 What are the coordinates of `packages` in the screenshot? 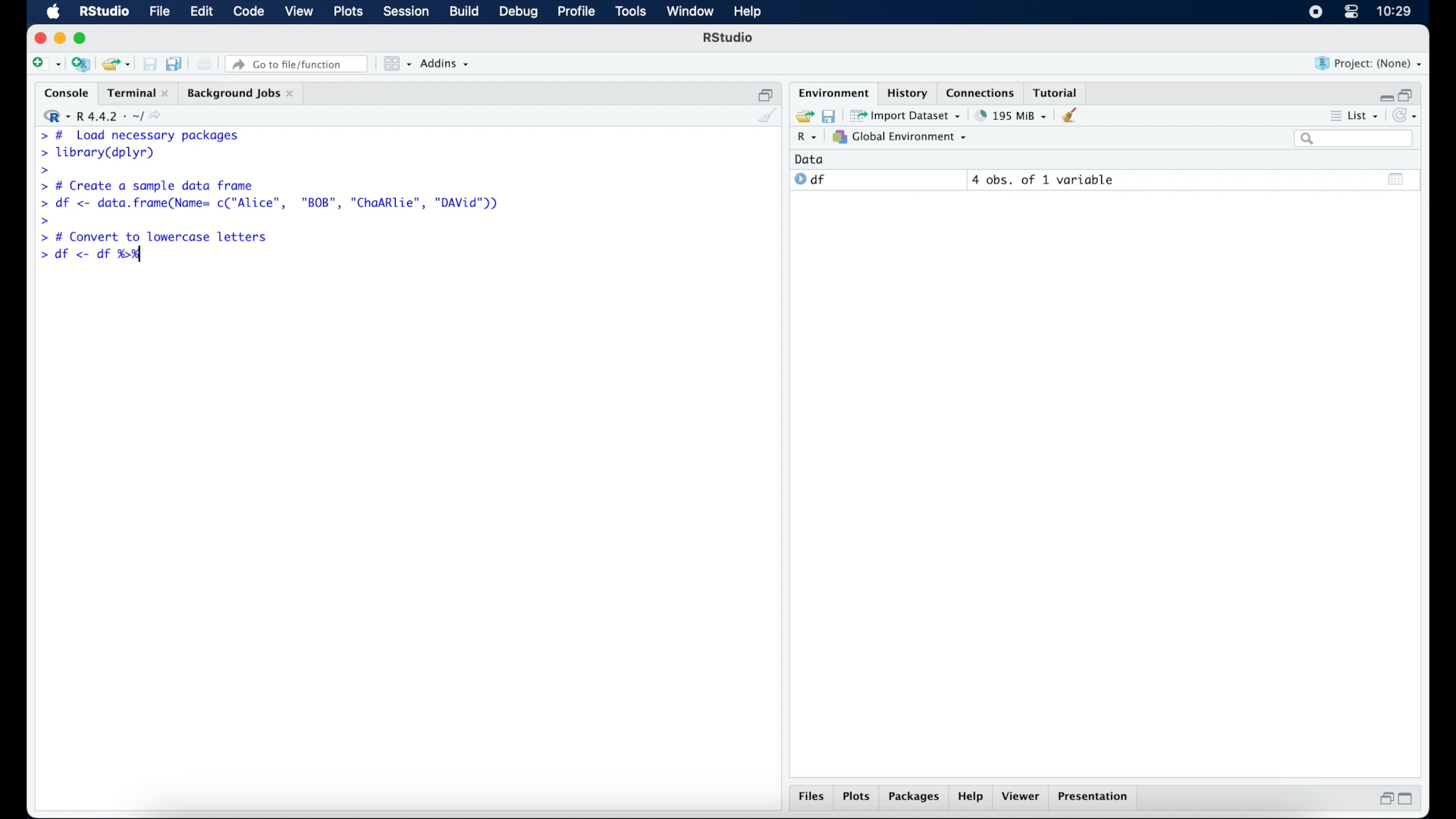 It's located at (915, 799).